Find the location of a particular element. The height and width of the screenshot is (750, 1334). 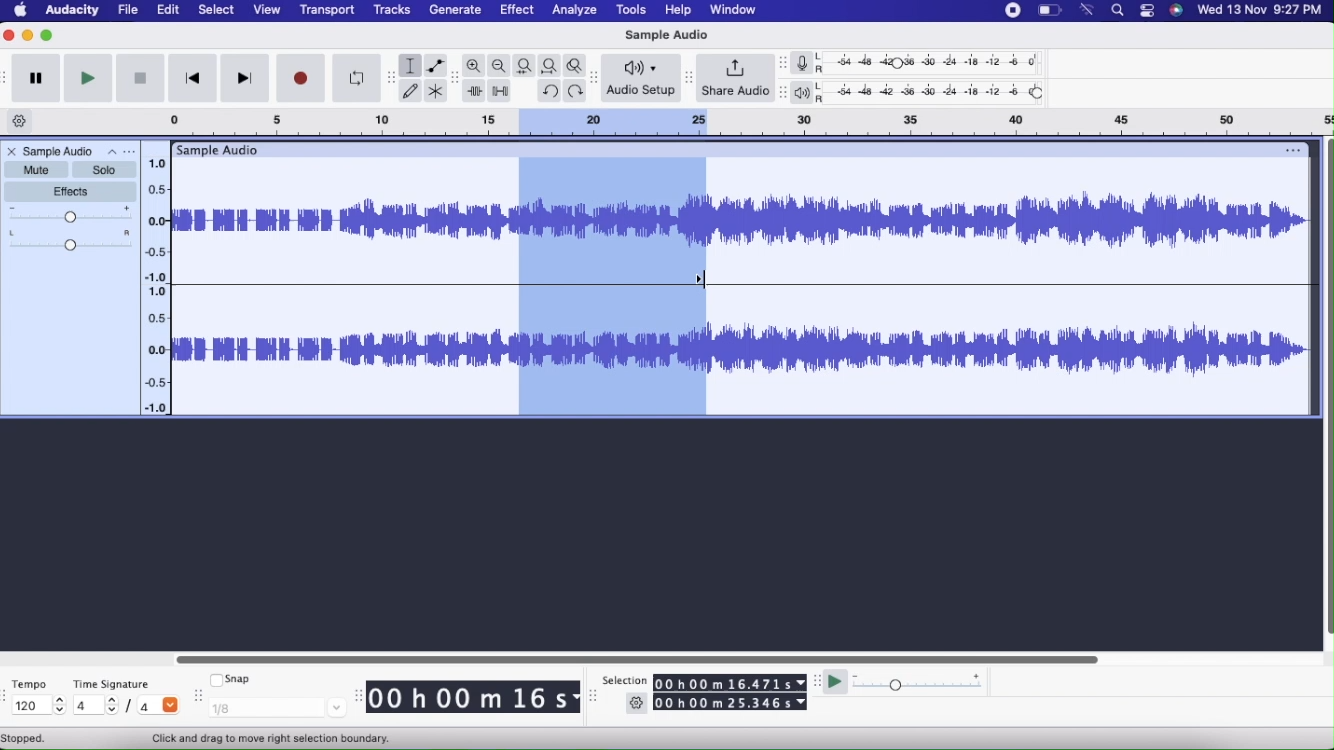

Selection tool is located at coordinates (411, 66).